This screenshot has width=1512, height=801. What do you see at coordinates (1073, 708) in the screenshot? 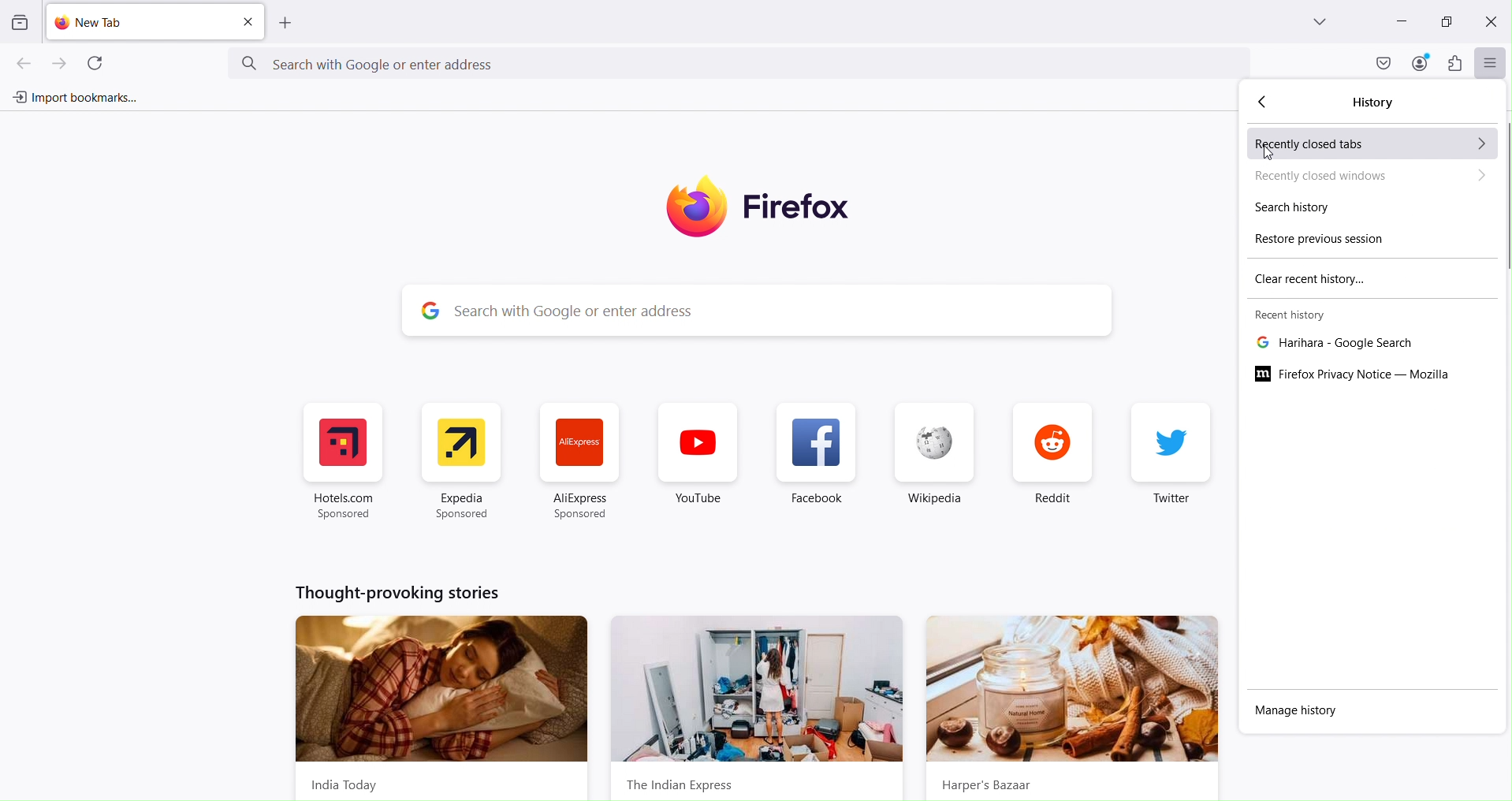
I see `hraper's bazar` at bounding box center [1073, 708].